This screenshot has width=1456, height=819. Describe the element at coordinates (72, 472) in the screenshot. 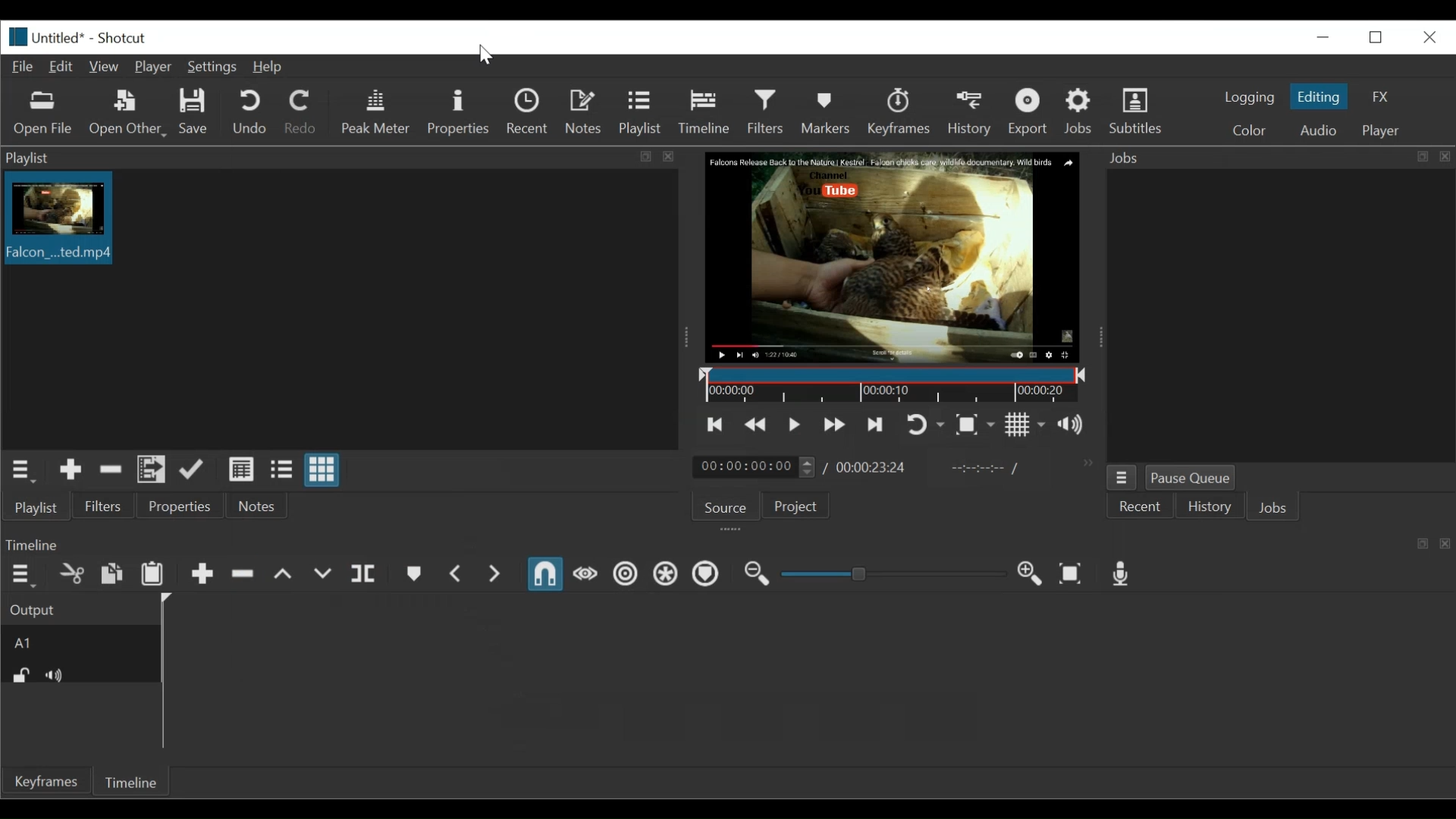

I see `Add the source to the playlist` at that location.